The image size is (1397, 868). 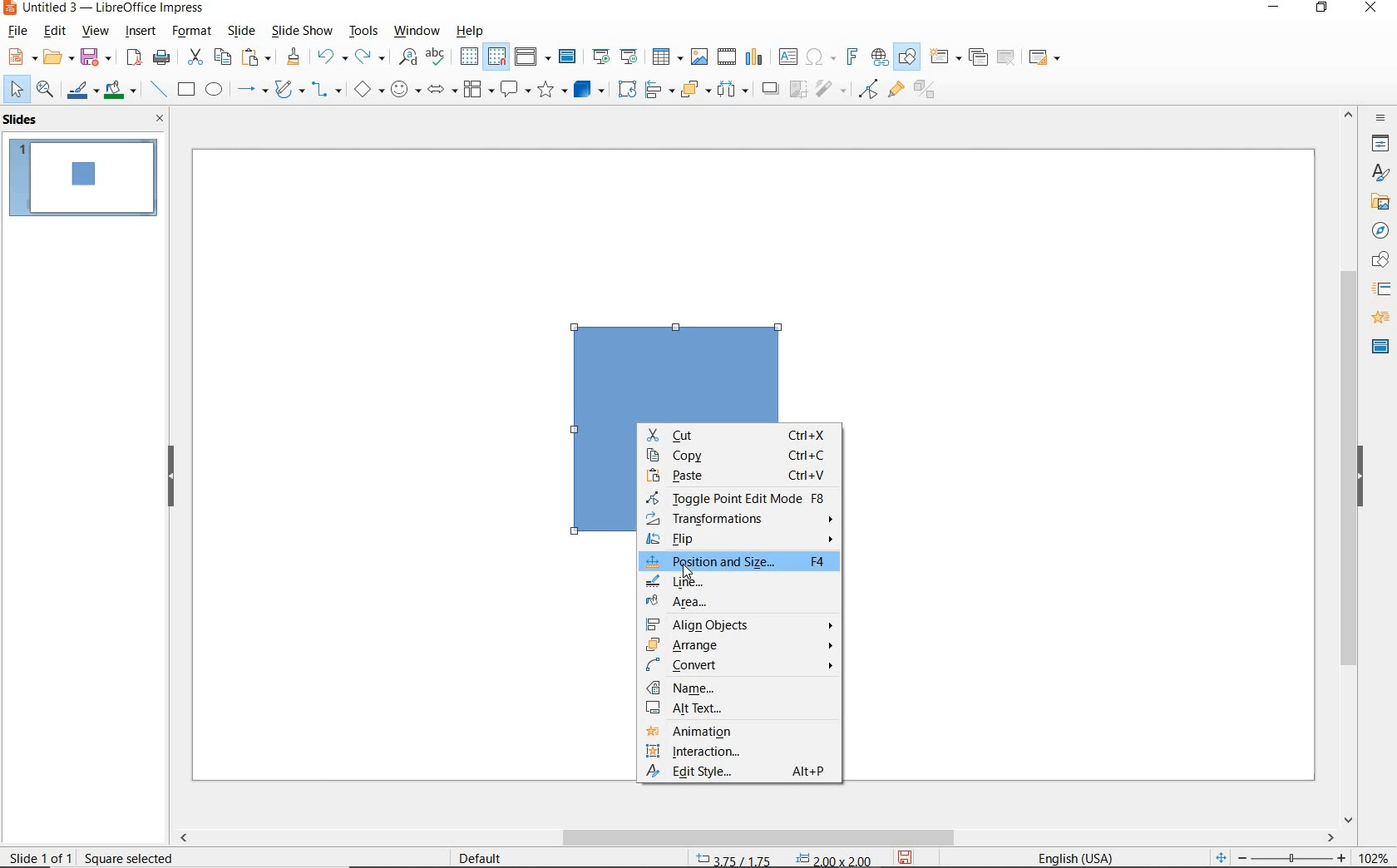 I want to click on default, so click(x=484, y=857).